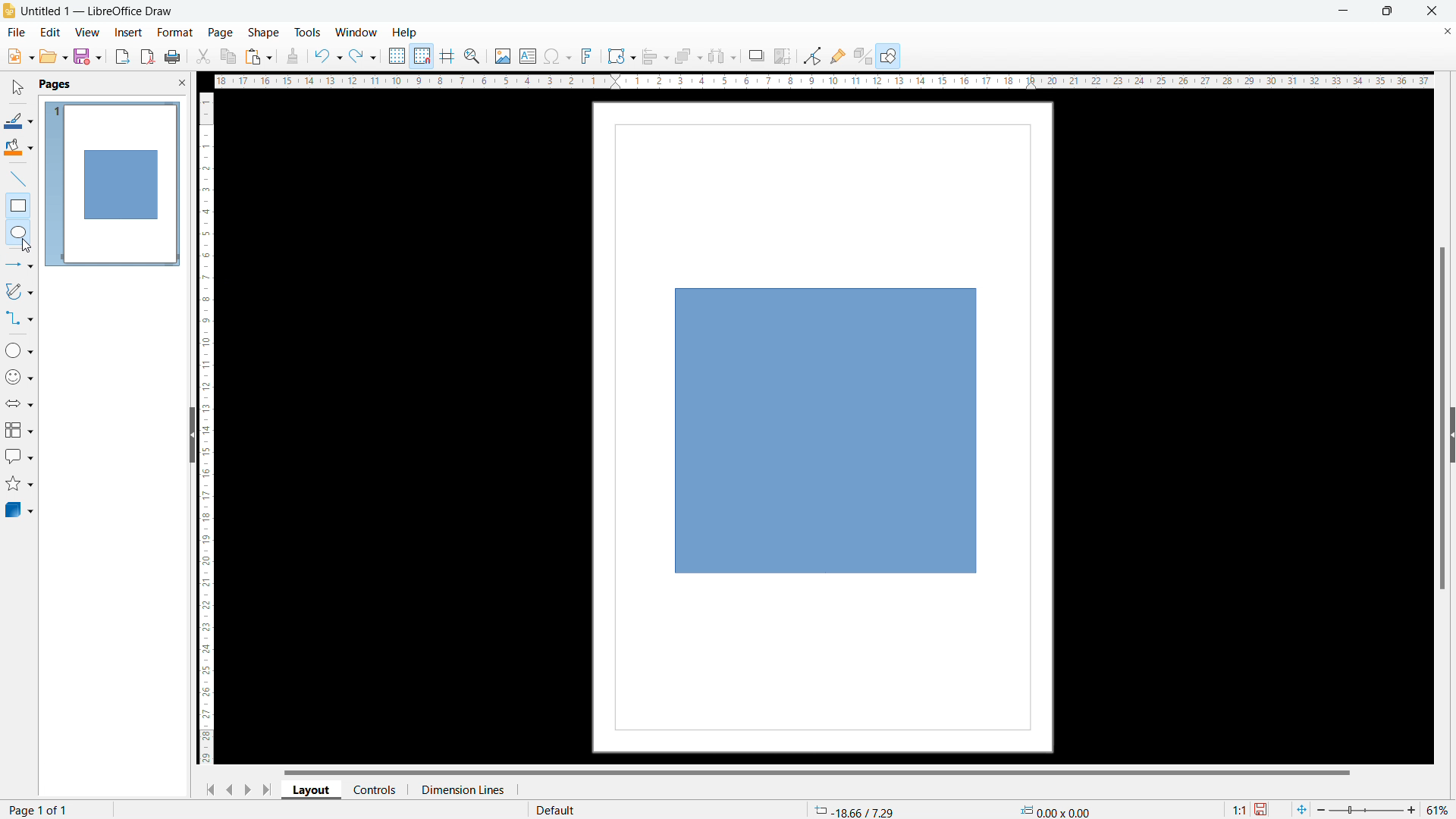  Describe the element at coordinates (171, 58) in the screenshot. I see `print` at that location.